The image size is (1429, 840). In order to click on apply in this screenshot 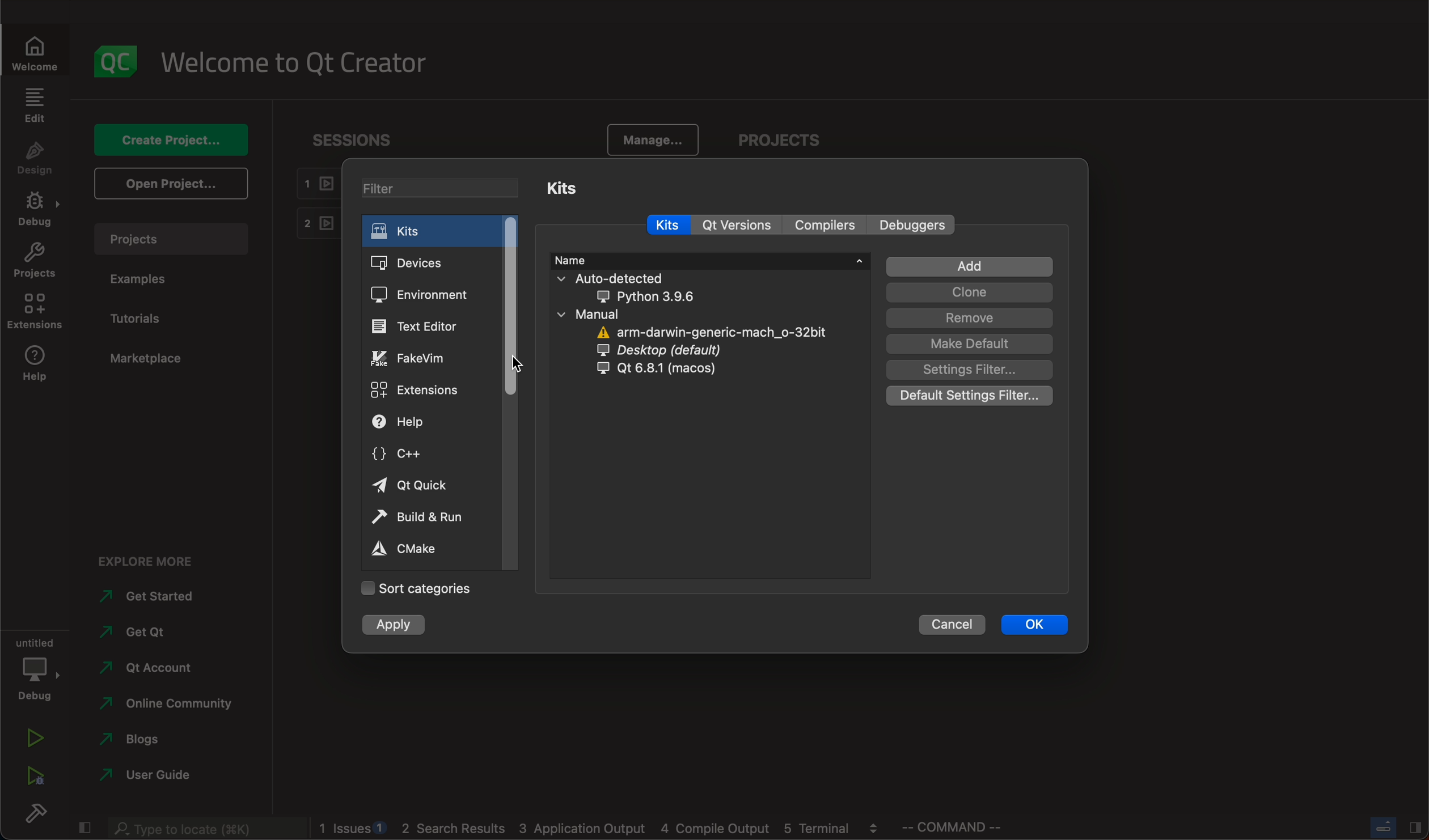, I will do `click(405, 626)`.